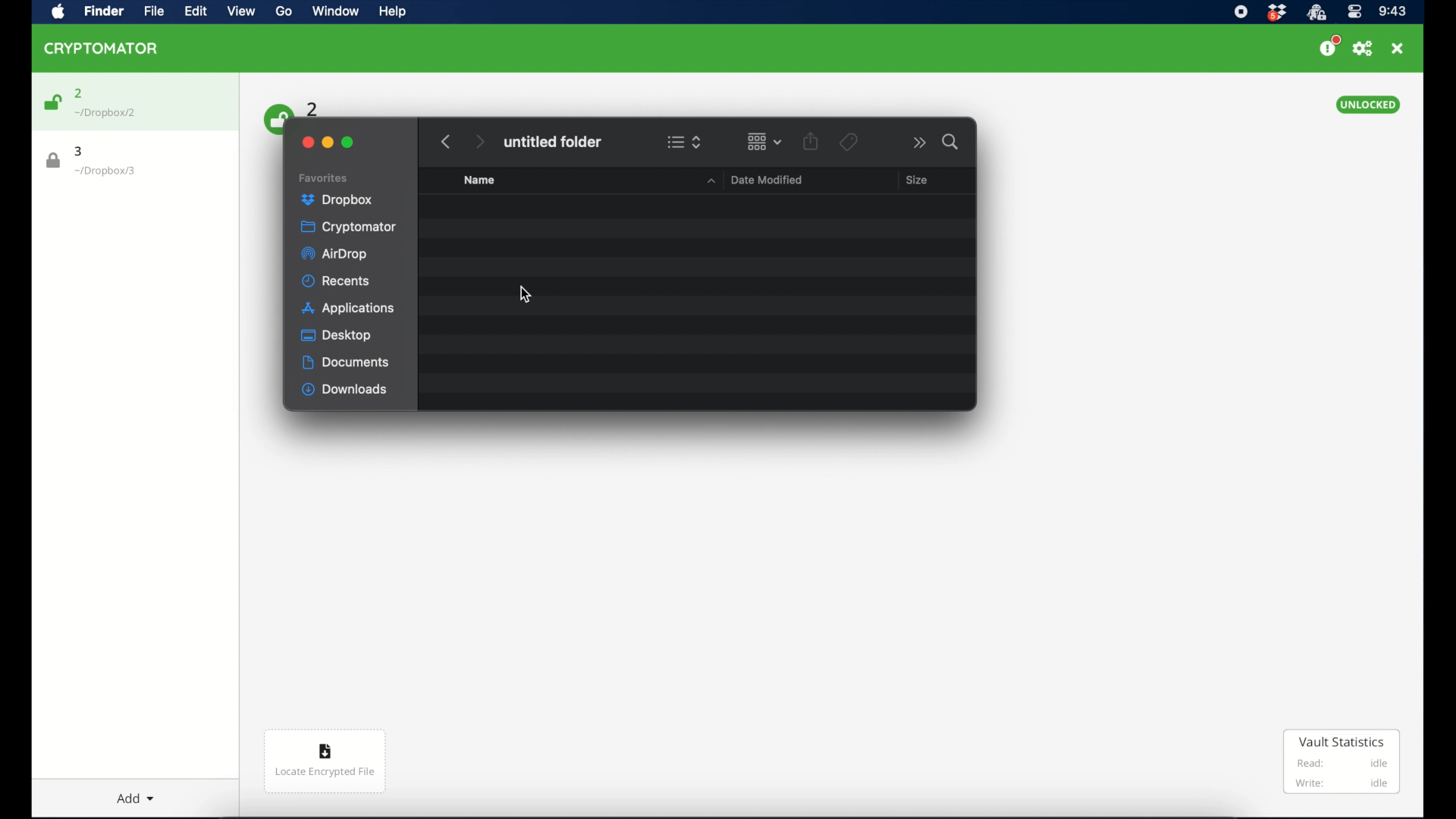 This screenshot has height=819, width=1456. What do you see at coordinates (105, 171) in the screenshot?
I see `location` at bounding box center [105, 171].